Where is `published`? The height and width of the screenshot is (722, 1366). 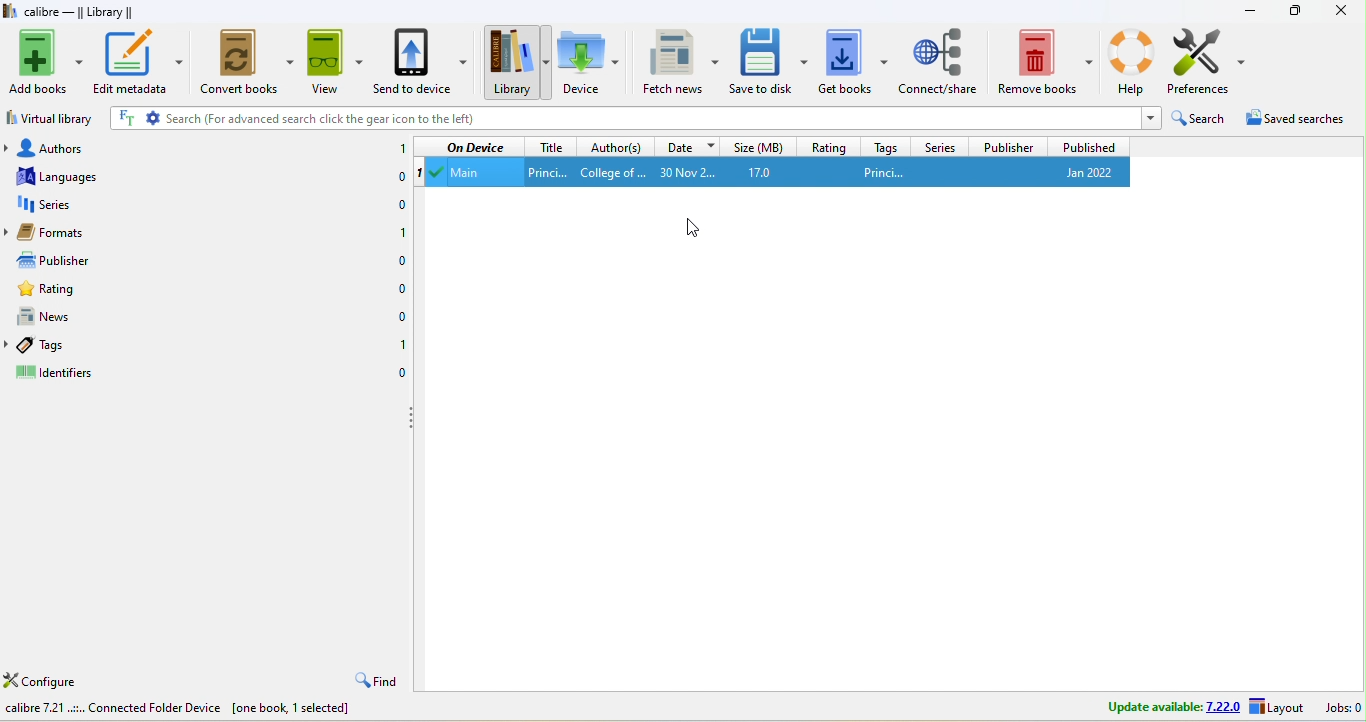 published is located at coordinates (1088, 146).